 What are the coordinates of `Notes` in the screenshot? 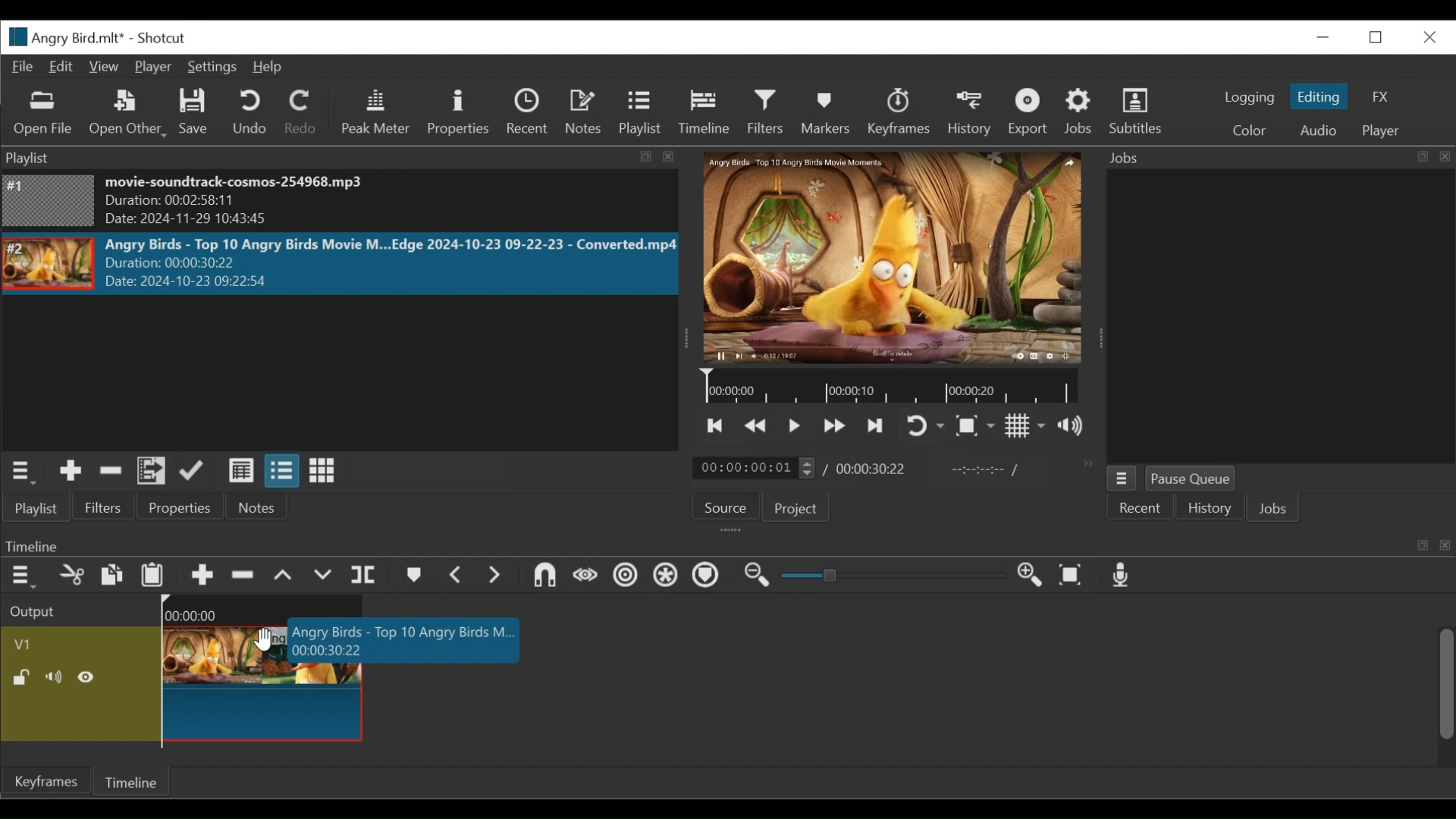 It's located at (256, 508).